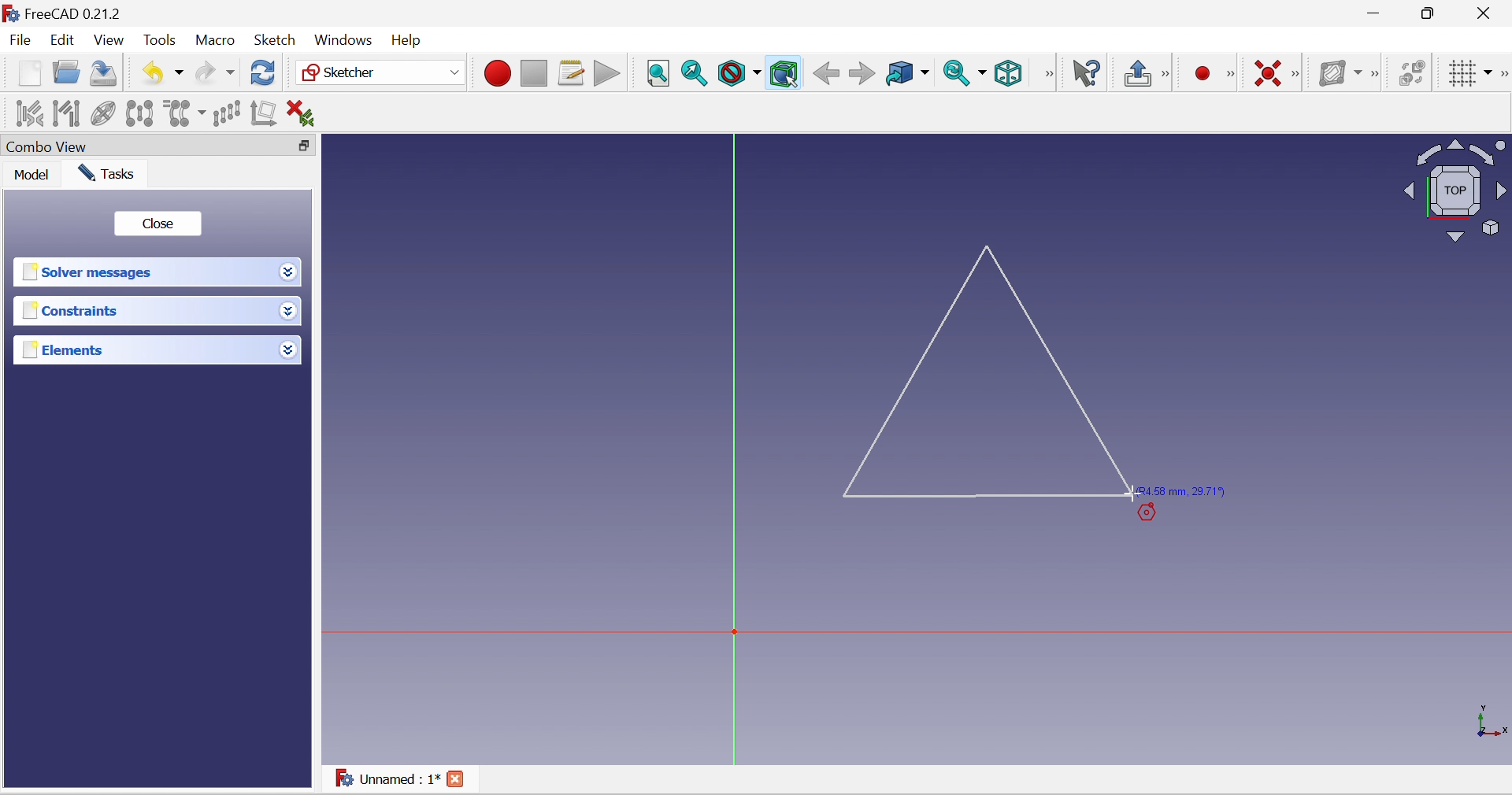 This screenshot has width=1512, height=795. I want to click on (R4.58 mm, 29.71°), so click(1177, 491).